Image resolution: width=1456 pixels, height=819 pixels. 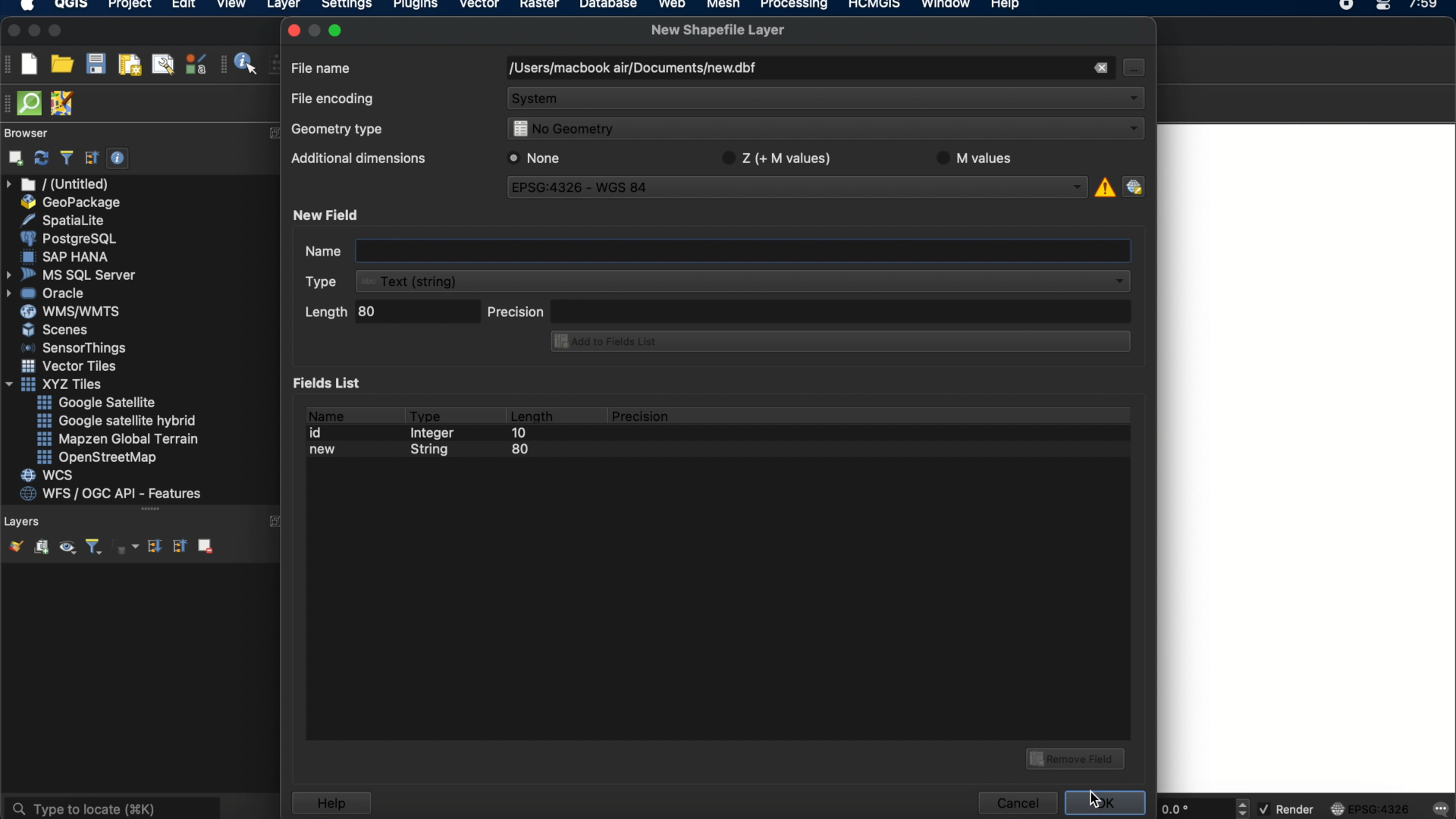 What do you see at coordinates (98, 403) in the screenshot?
I see `google satellite` at bounding box center [98, 403].